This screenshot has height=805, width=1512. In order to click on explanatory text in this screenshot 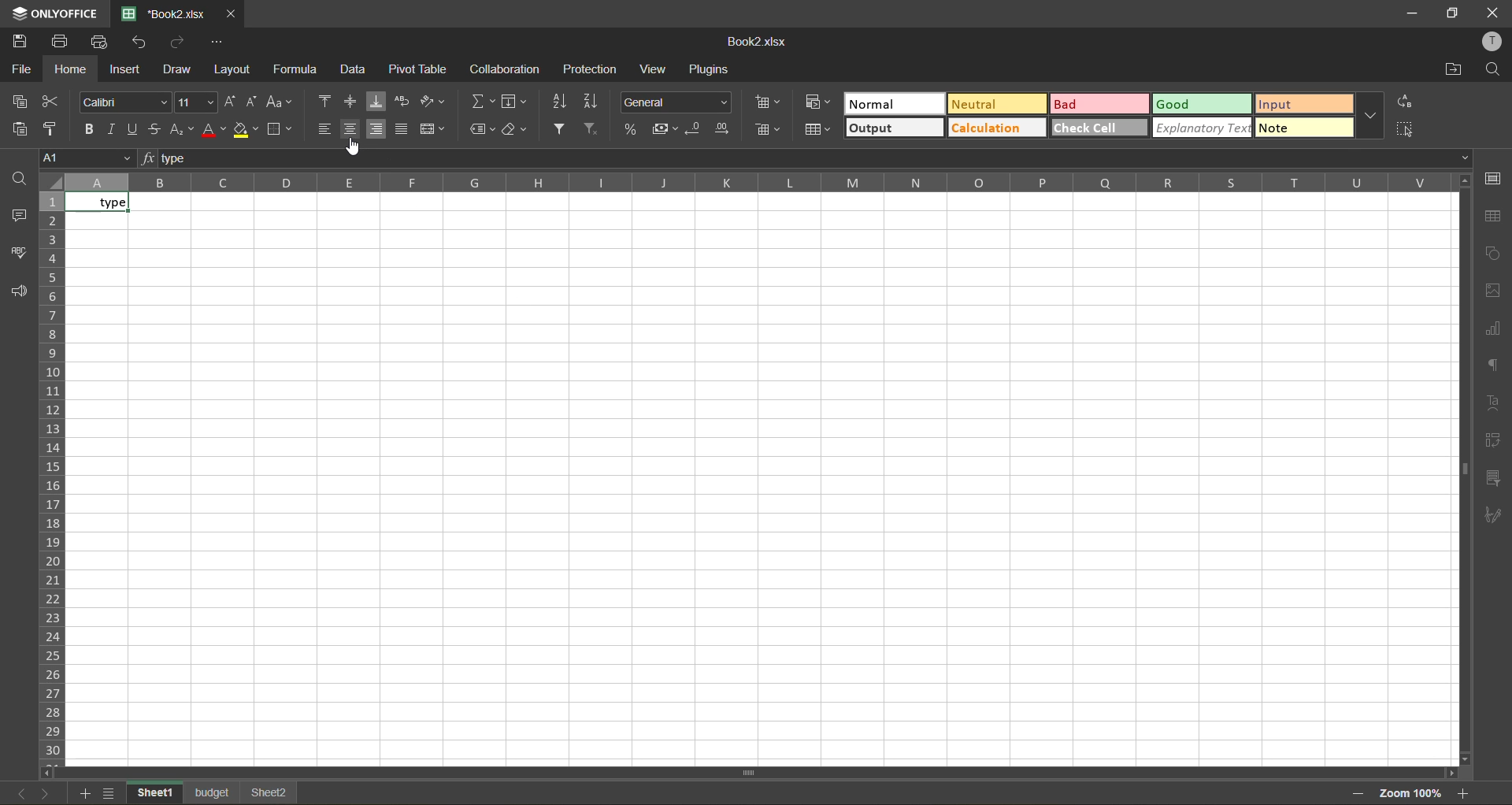, I will do `click(1199, 128)`.